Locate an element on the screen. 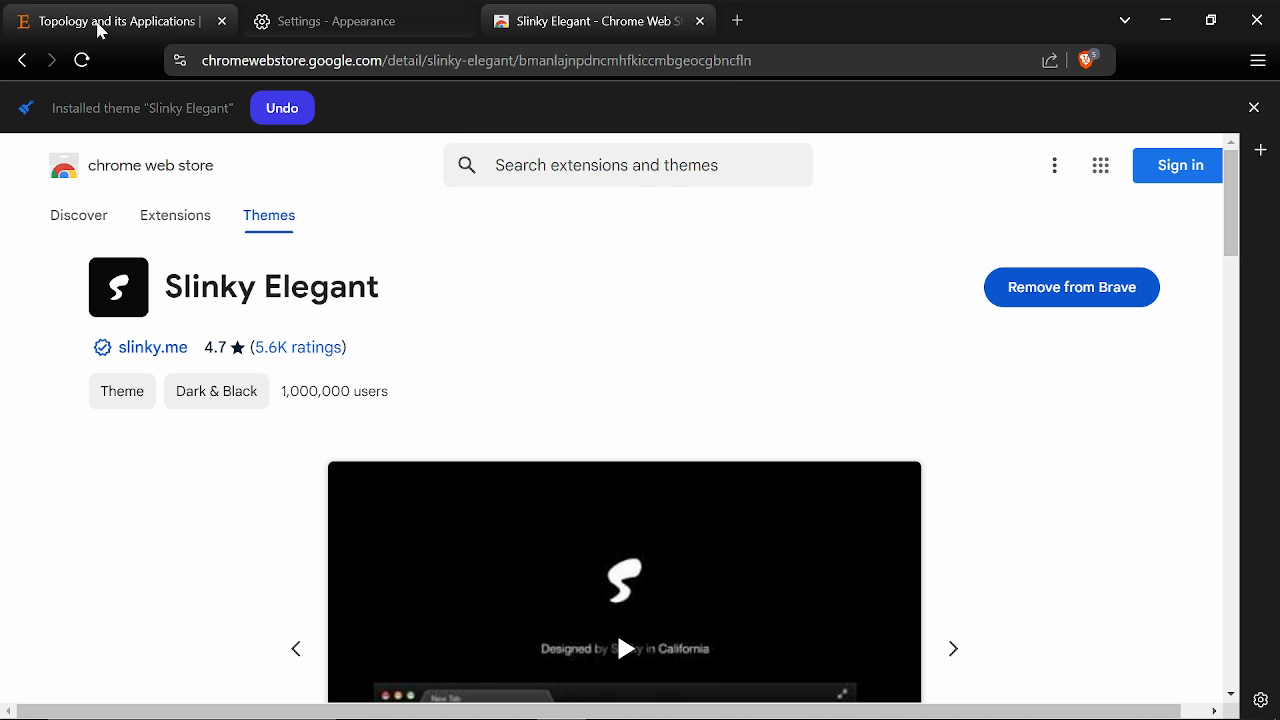 This screenshot has width=1280, height=720. Theme name is located at coordinates (236, 288).